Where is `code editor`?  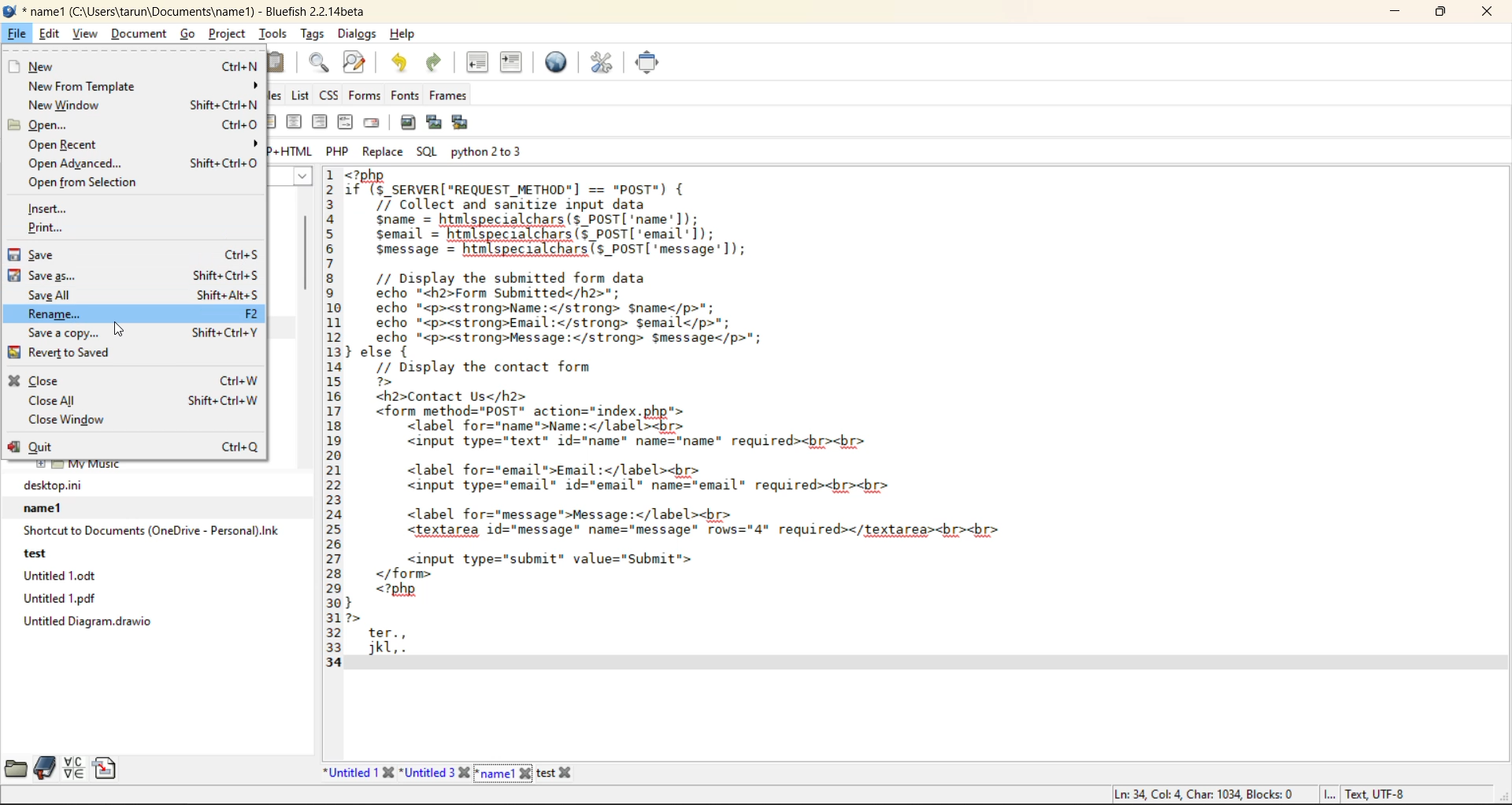 code editor is located at coordinates (765, 422).